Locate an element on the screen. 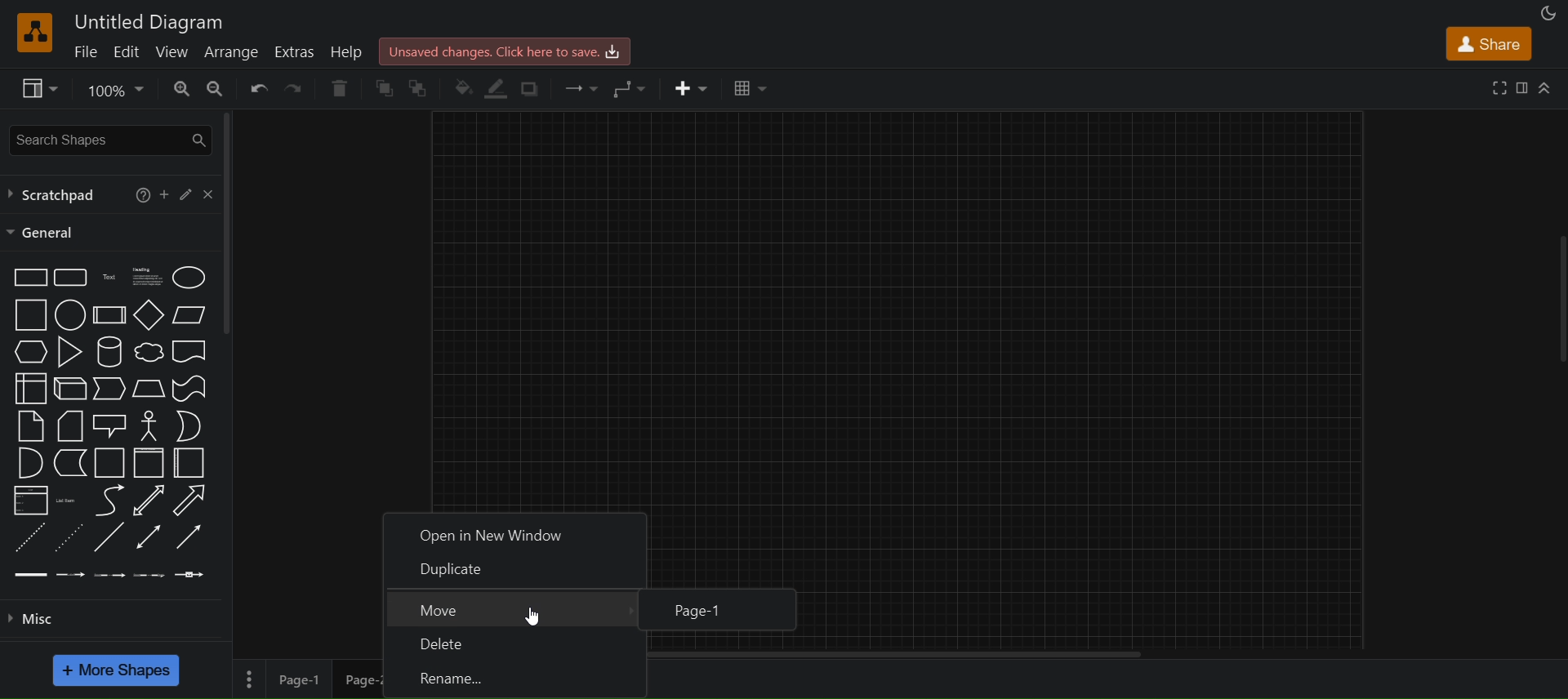 The height and width of the screenshot is (699, 1568). page 2 is located at coordinates (353, 679).